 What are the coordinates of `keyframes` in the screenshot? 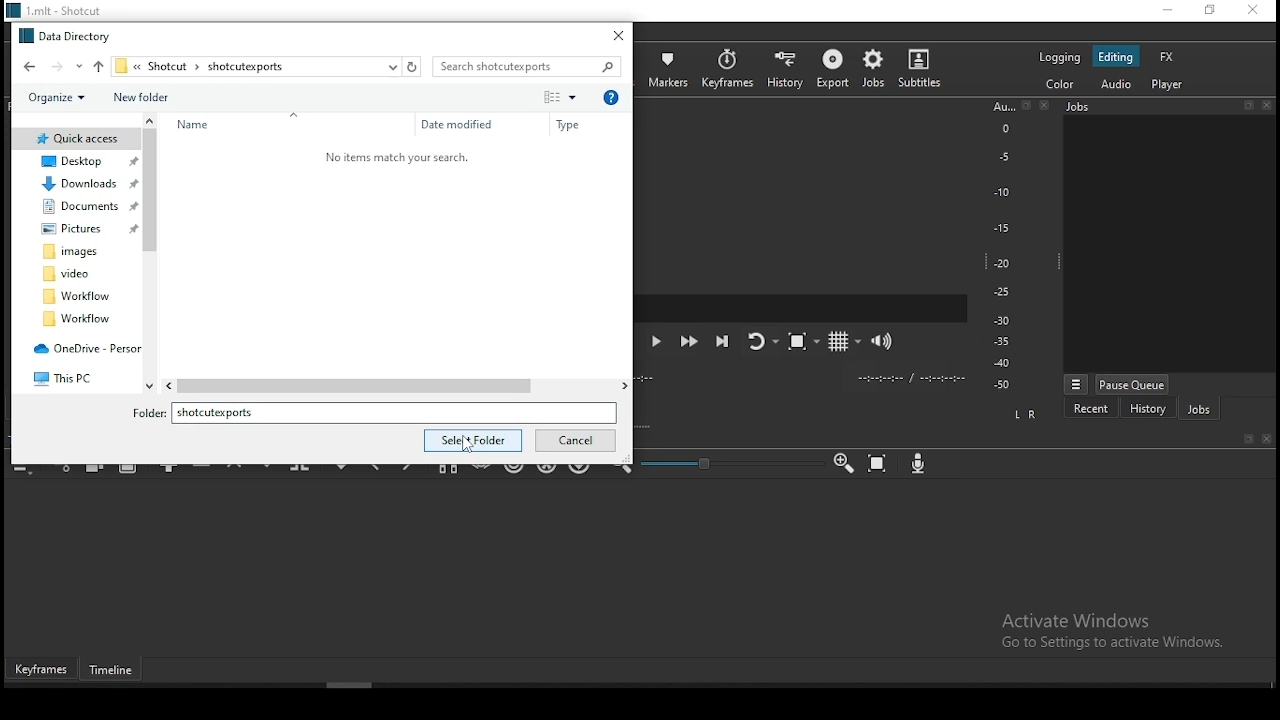 It's located at (42, 670).